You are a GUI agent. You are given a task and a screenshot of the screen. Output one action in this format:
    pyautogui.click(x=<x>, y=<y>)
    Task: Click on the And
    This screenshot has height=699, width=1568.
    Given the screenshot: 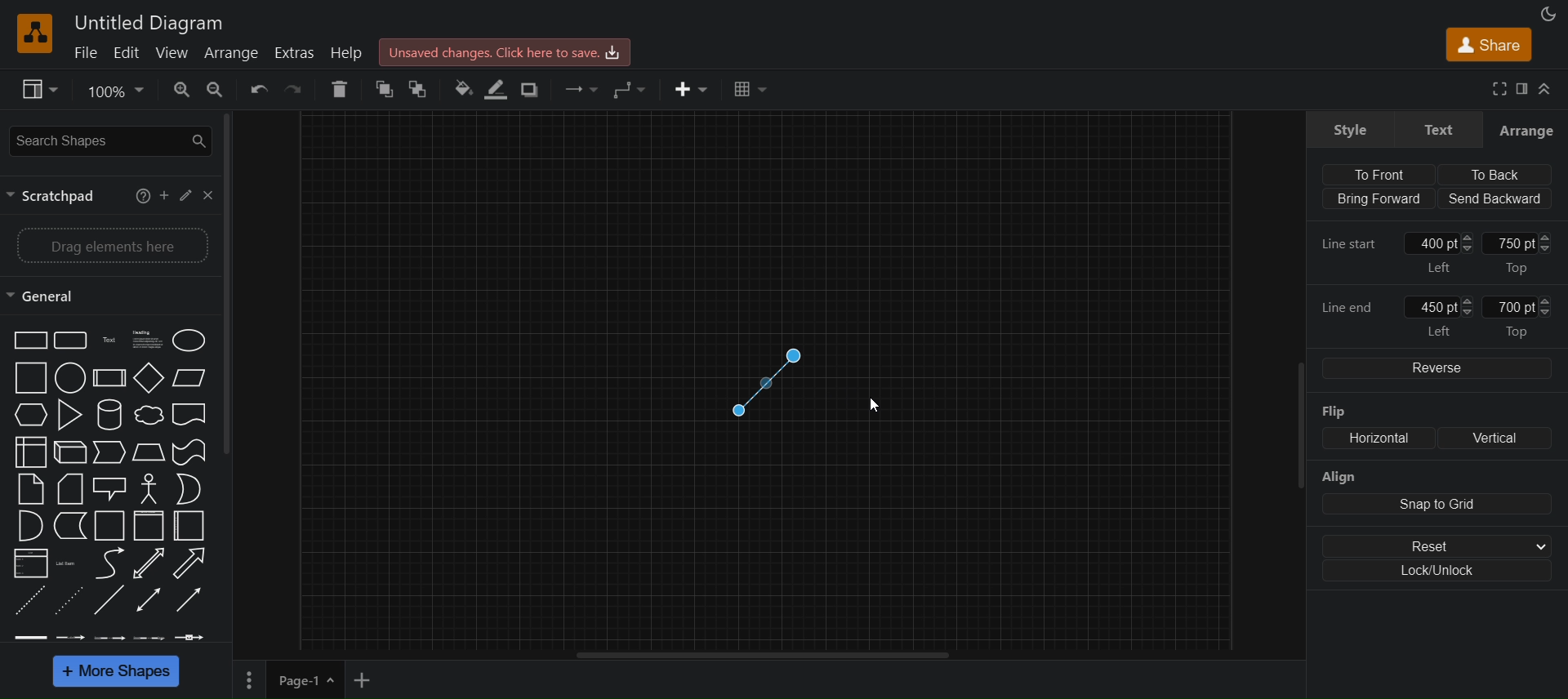 What is the action you would take?
    pyautogui.click(x=29, y=525)
    